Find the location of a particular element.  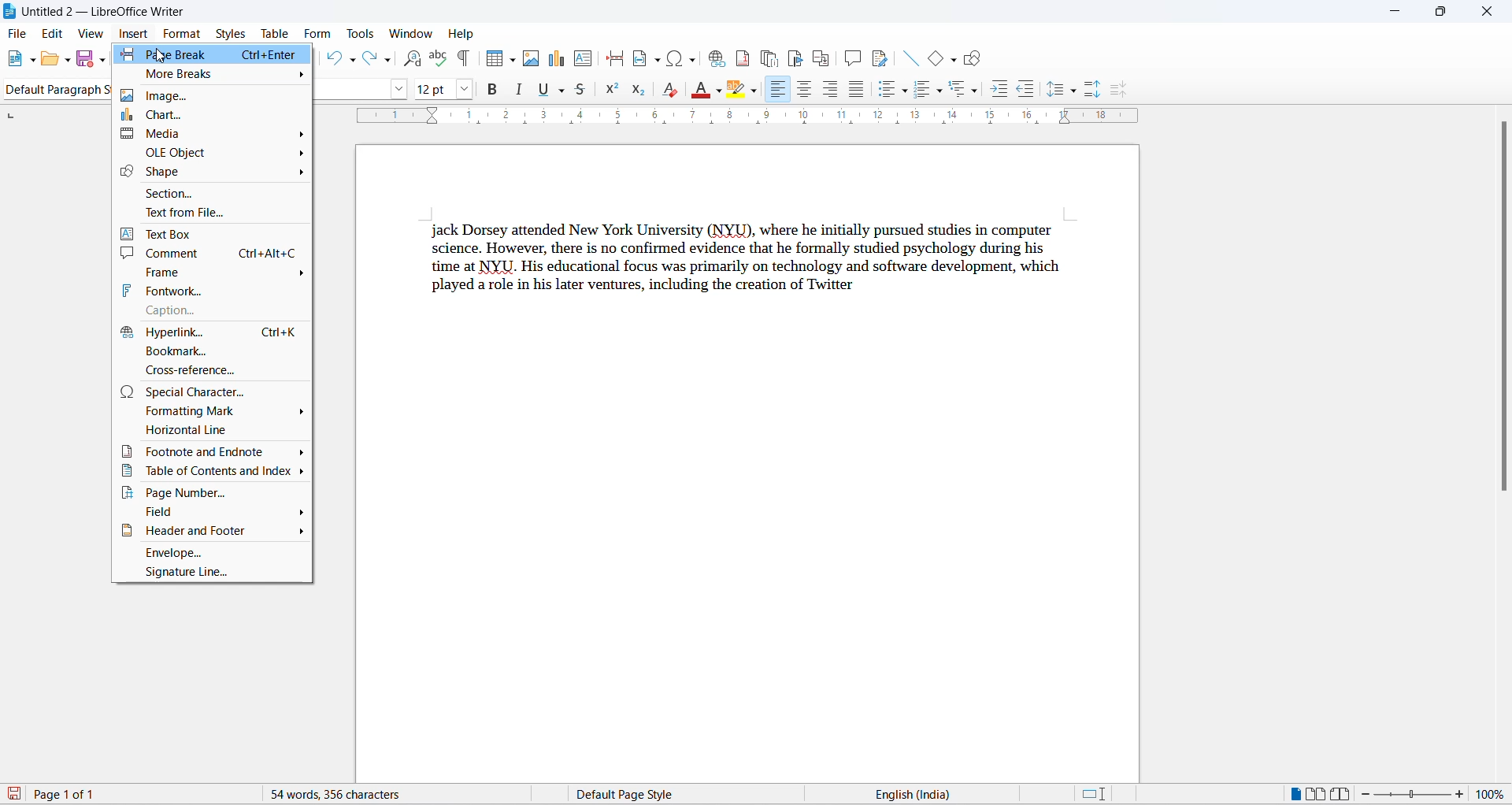

page breaks is located at coordinates (219, 54).